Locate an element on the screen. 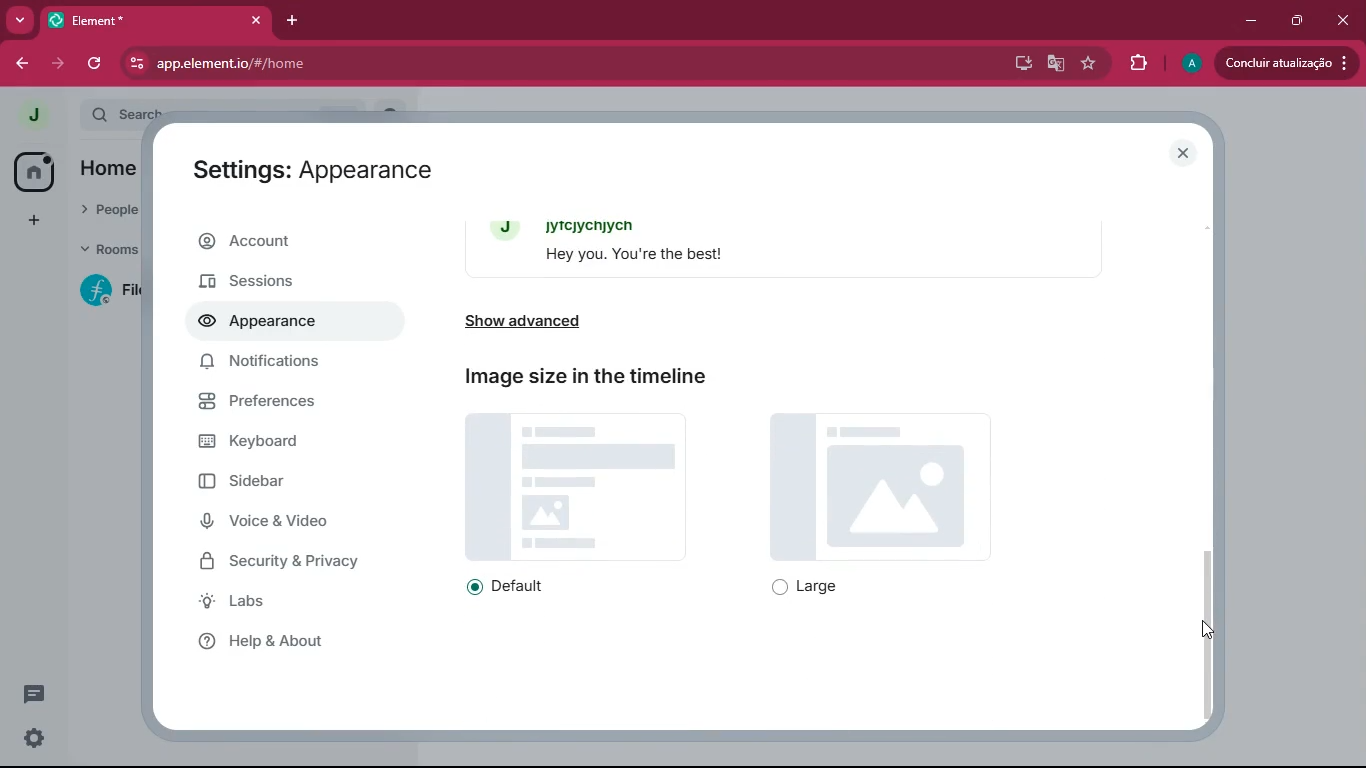  Concluir atualizacao is located at coordinates (1287, 61).